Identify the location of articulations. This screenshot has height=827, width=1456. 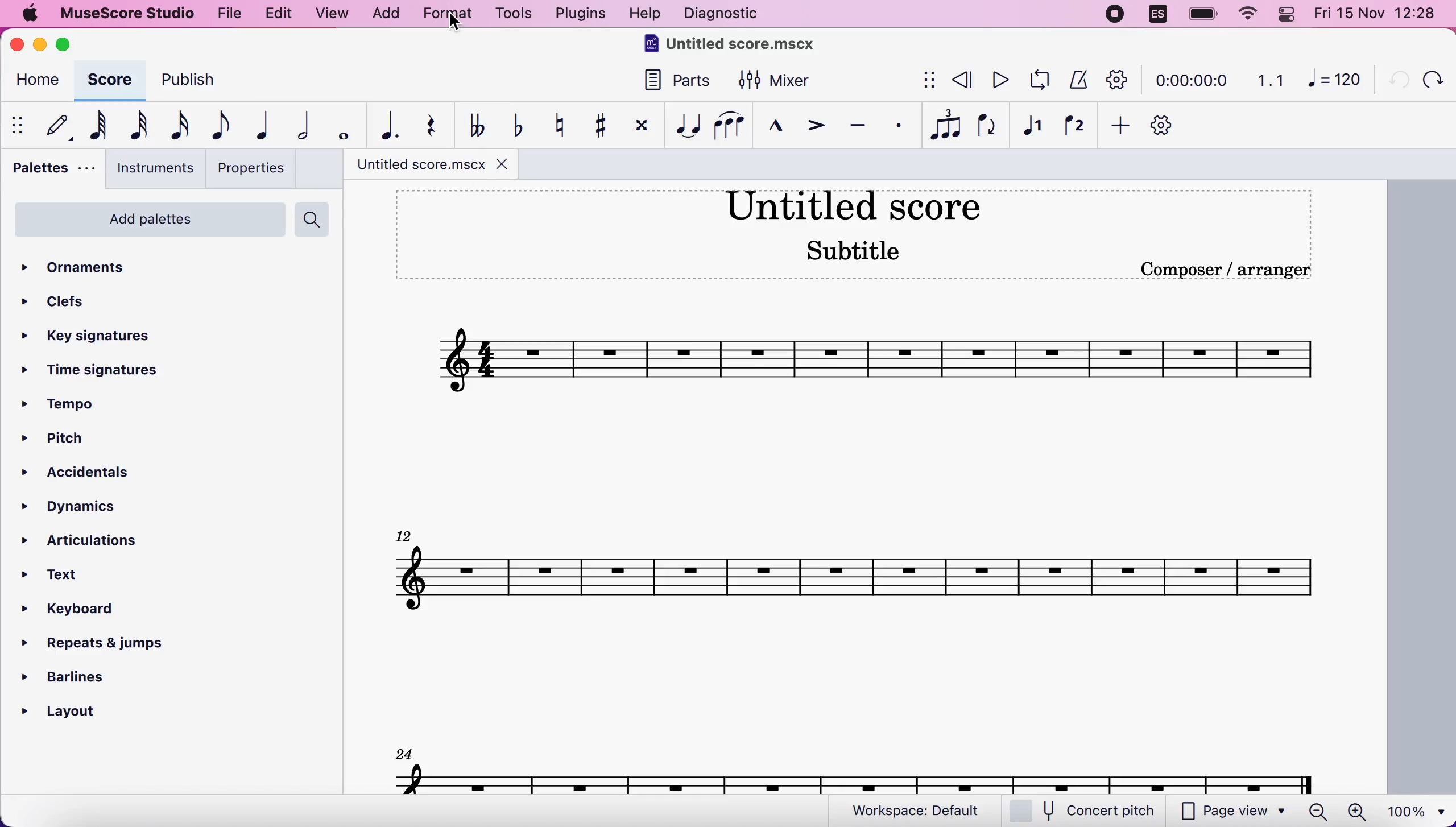
(89, 539).